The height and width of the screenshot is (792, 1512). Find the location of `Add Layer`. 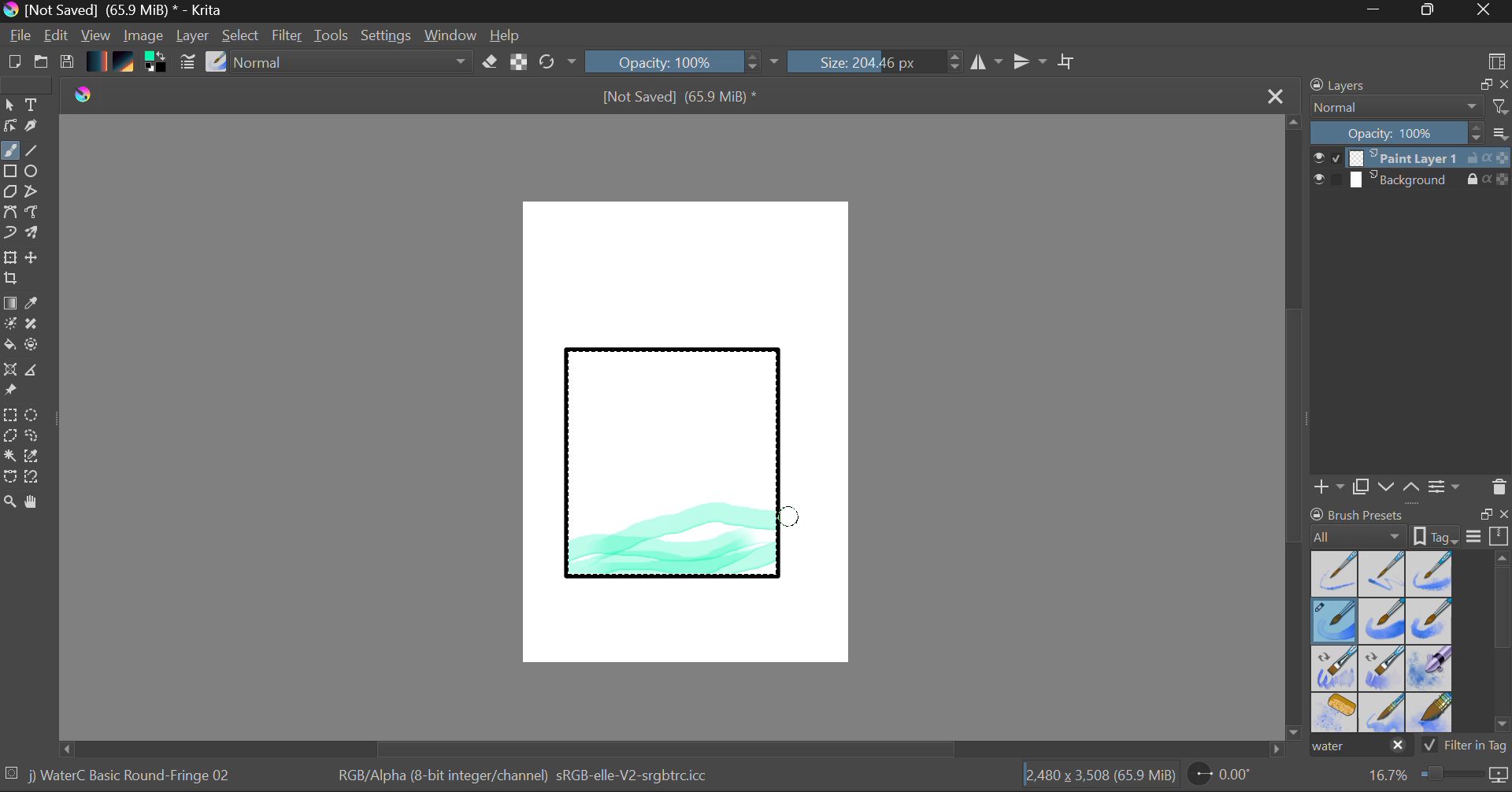

Add Layer is located at coordinates (1329, 487).